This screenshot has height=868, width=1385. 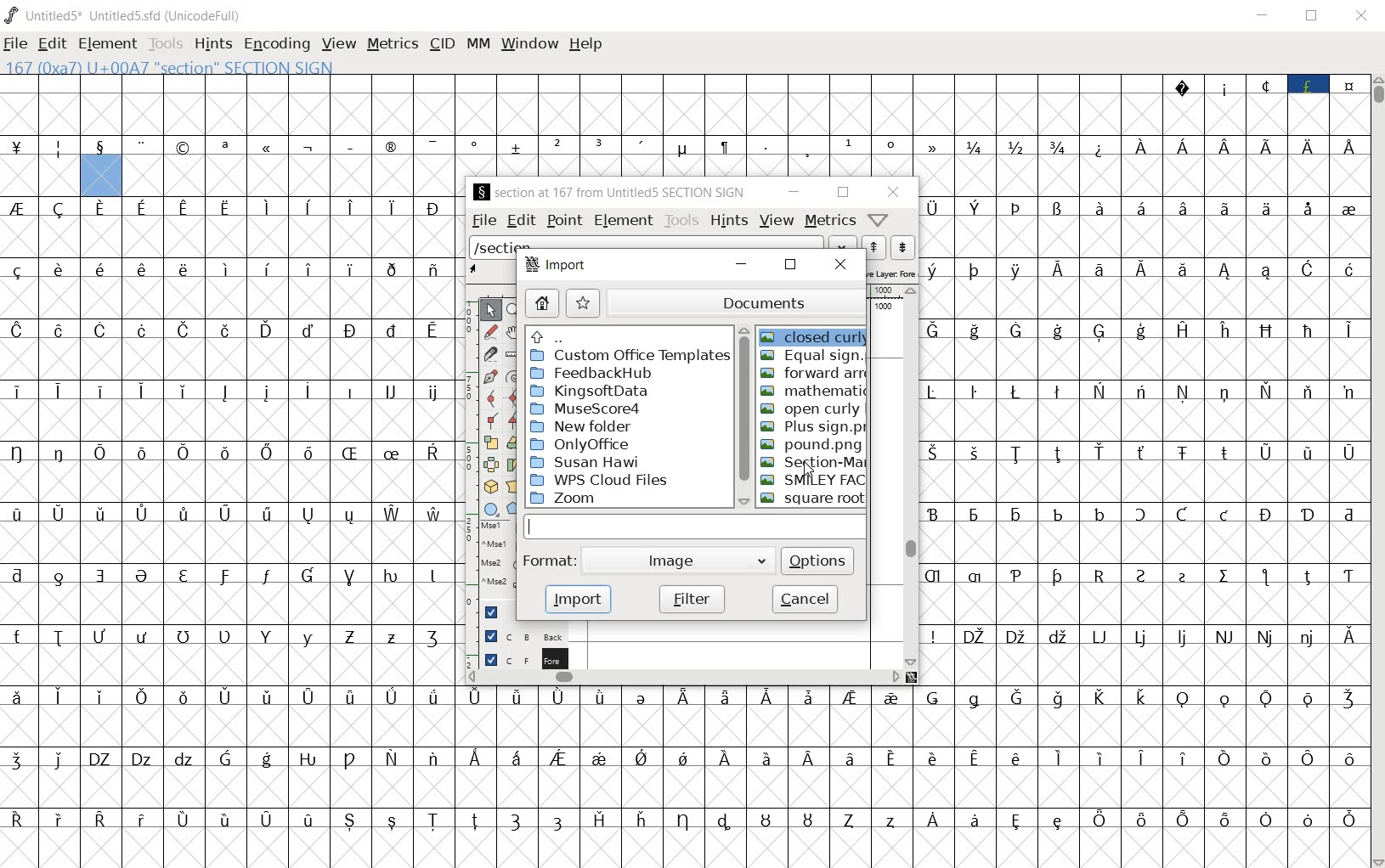 I want to click on measure a distance, angle between points, so click(x=513, y=354).